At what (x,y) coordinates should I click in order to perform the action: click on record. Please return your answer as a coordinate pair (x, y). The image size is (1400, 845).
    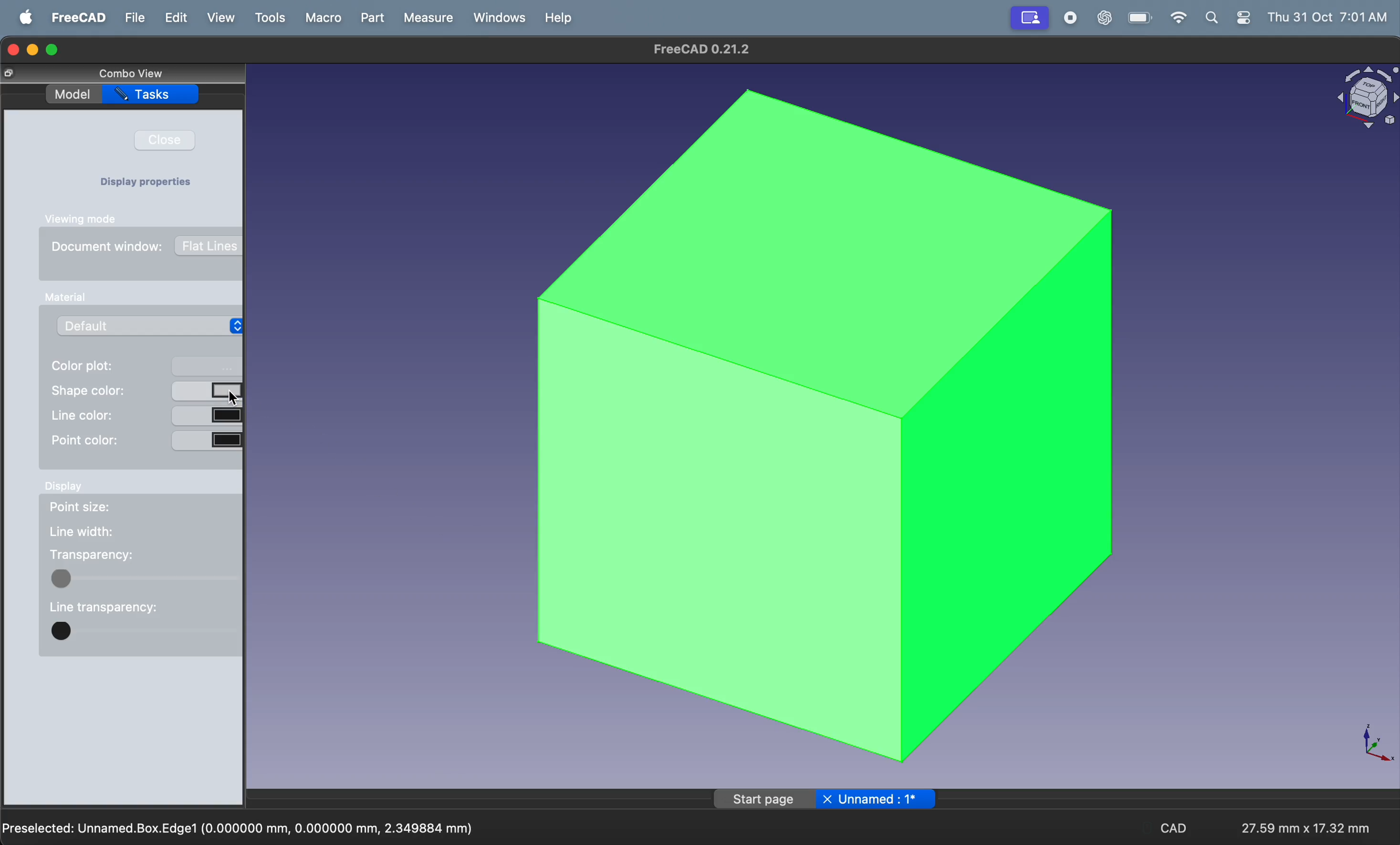
    Looking at the image, I should click on (1069, 19).